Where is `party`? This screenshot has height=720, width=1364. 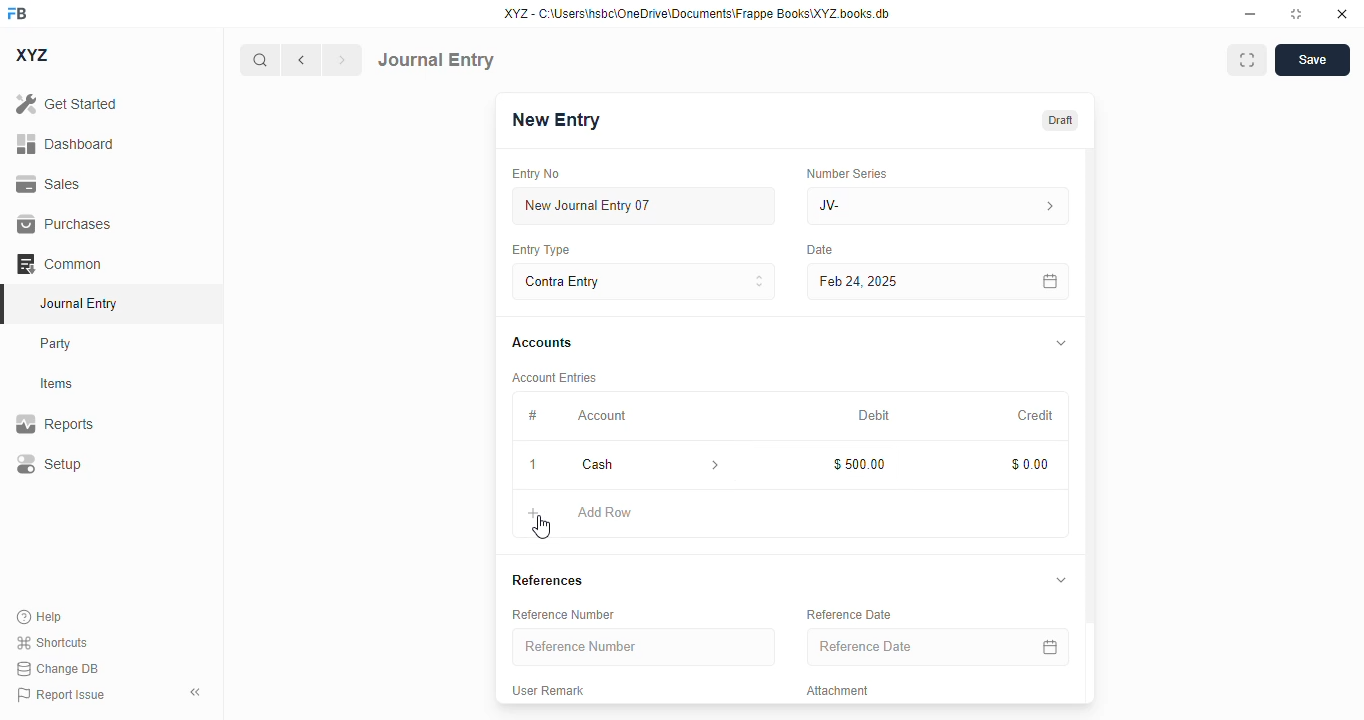 party is located at coordinates (58, 344).